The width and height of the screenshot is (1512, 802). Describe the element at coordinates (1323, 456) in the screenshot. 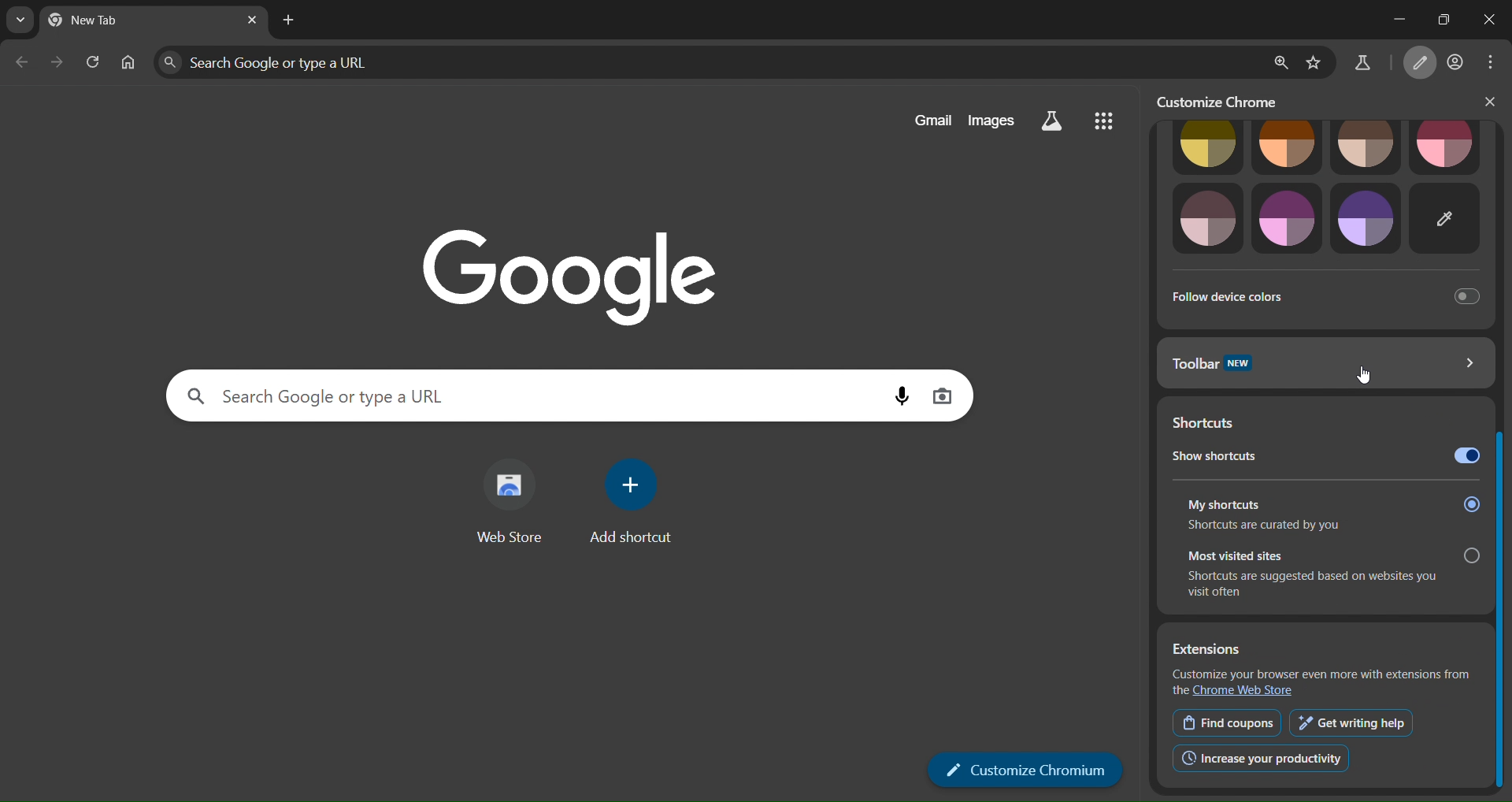

I see `show shortcuts` at that location.